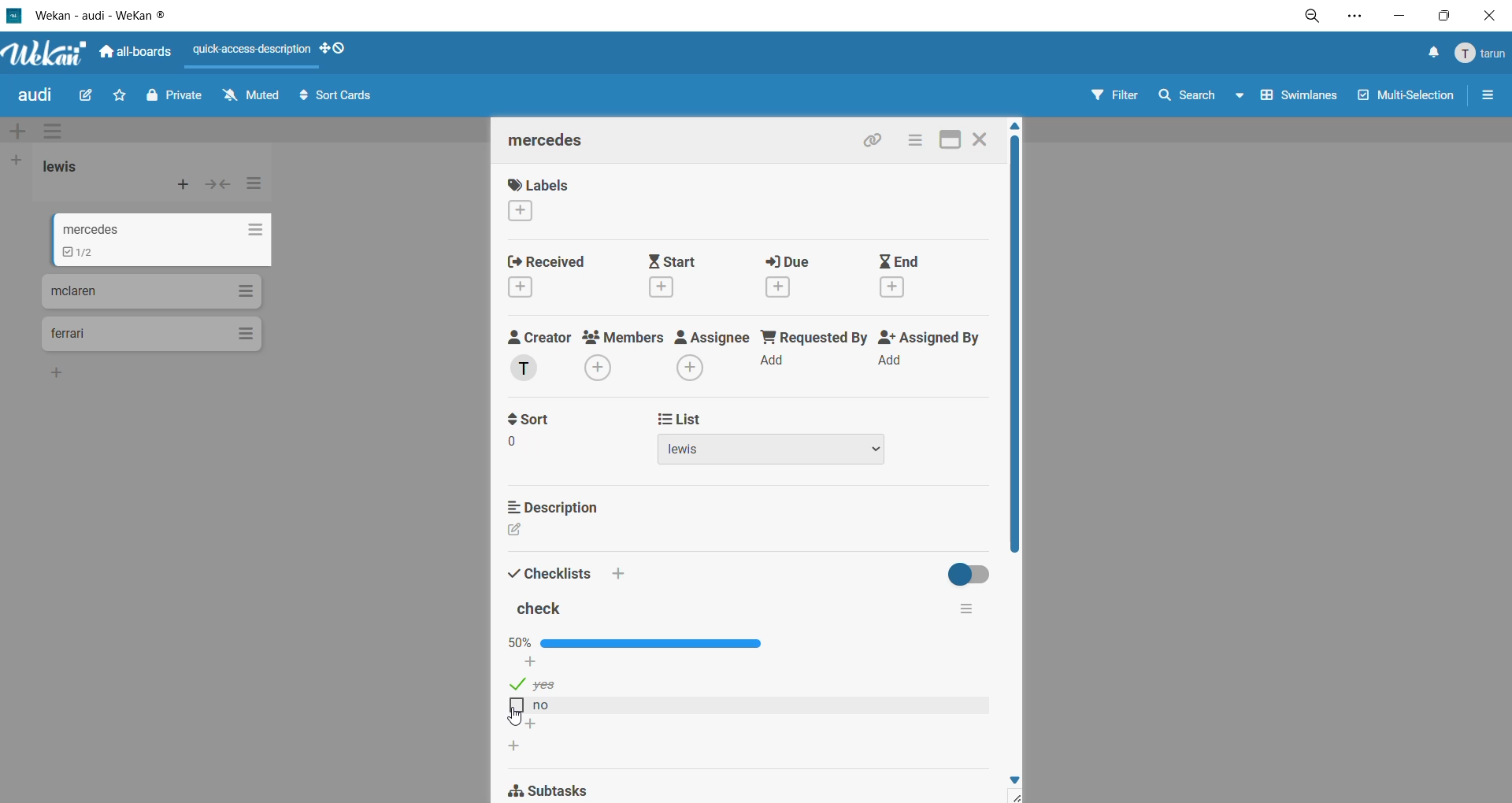  Describe the element at coordinates (1404, 14) in the screenshot. I see `minimize` at that location.